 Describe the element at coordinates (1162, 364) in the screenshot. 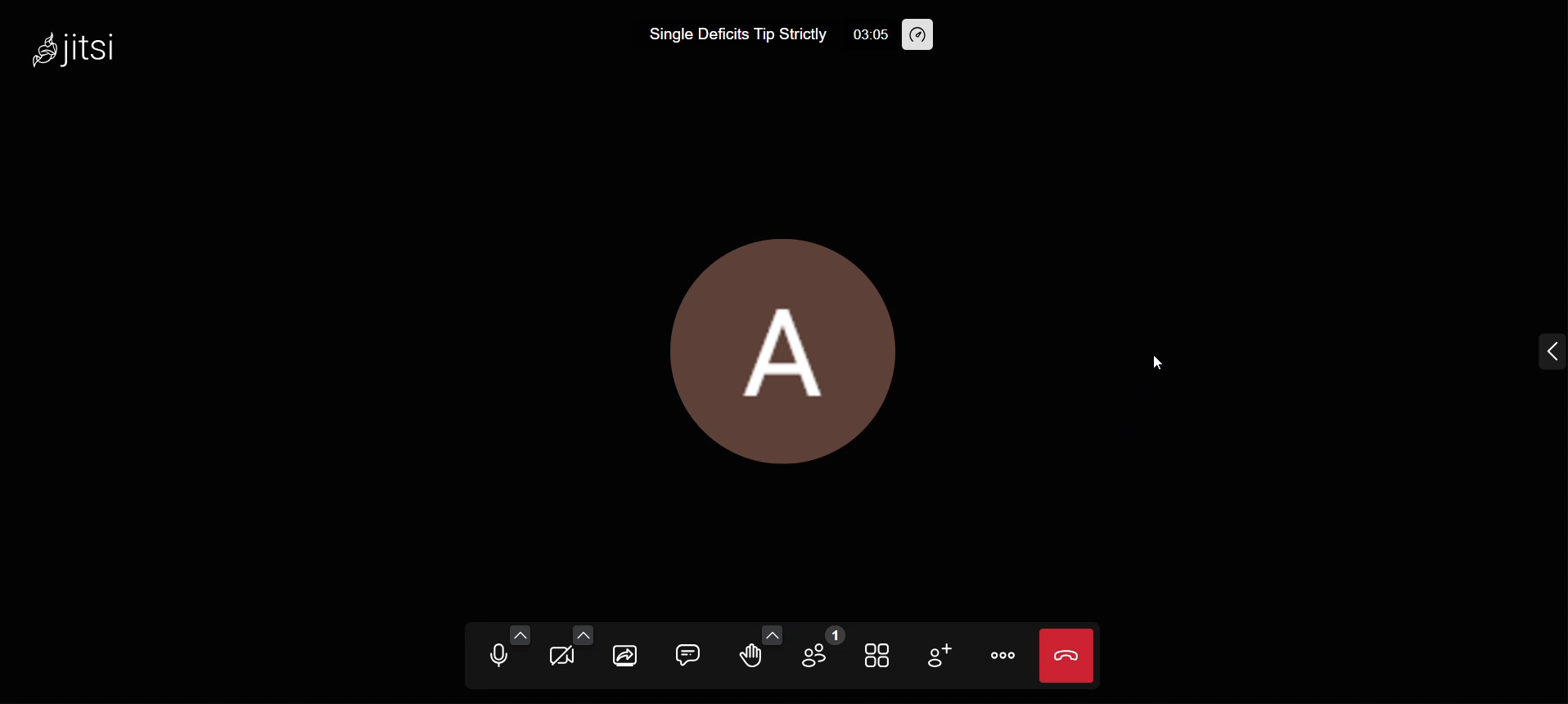

I see `cursor` at that location.